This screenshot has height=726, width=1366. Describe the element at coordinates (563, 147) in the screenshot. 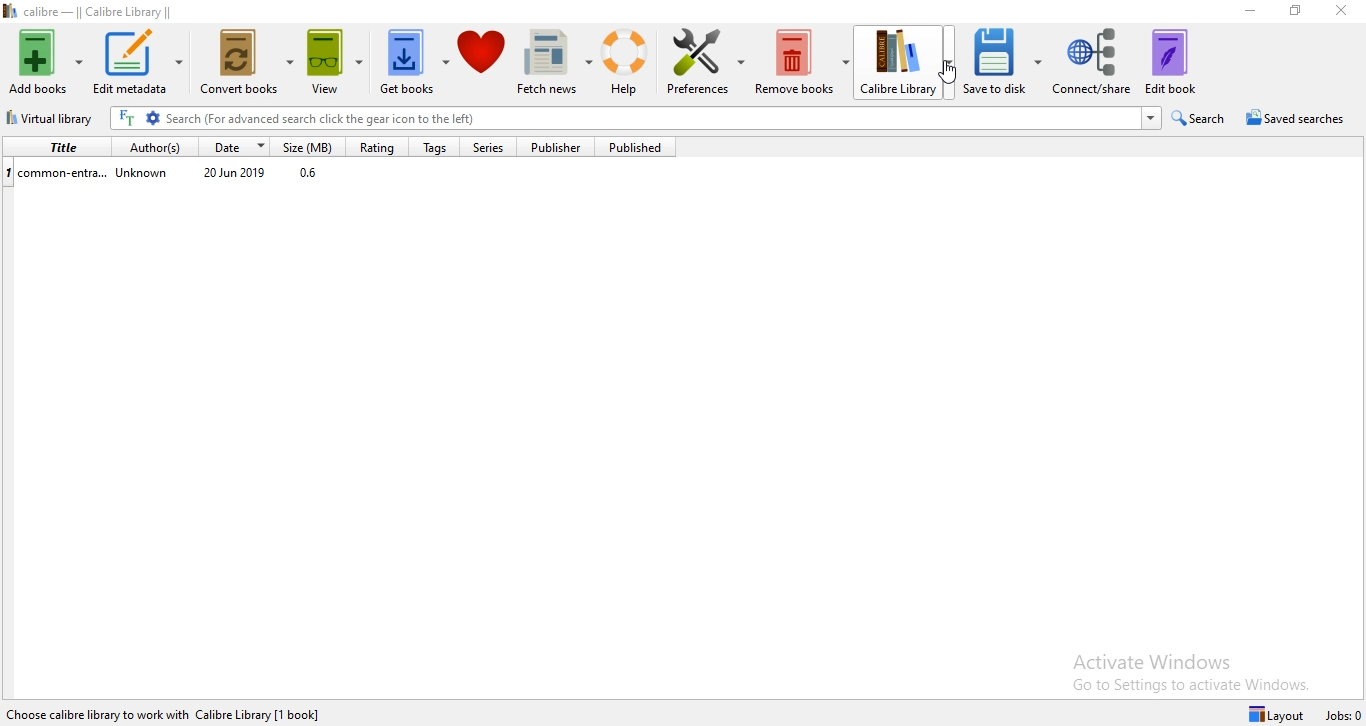

I see `Publisher` at that location.